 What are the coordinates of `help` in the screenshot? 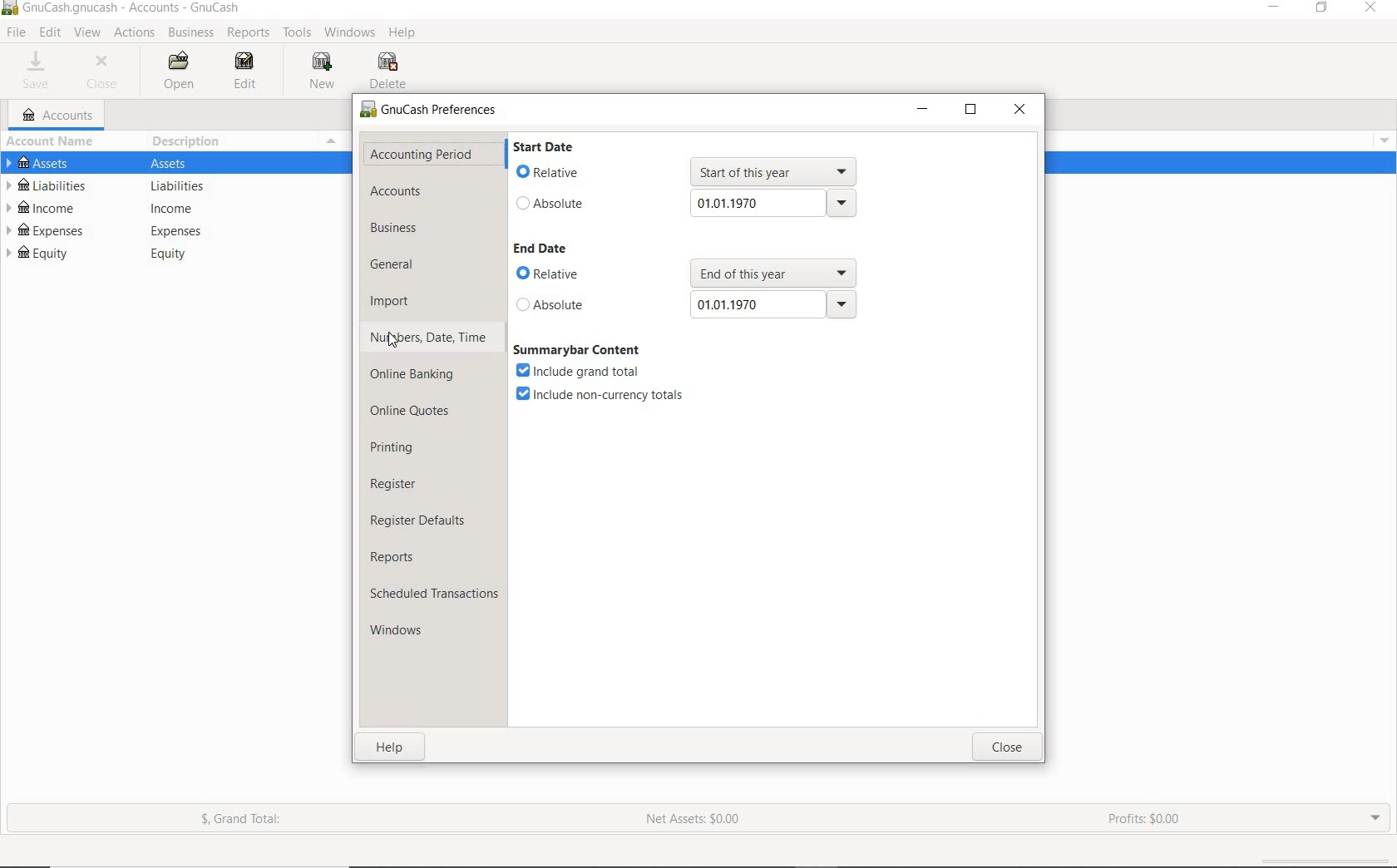 It's located at (392, 747).